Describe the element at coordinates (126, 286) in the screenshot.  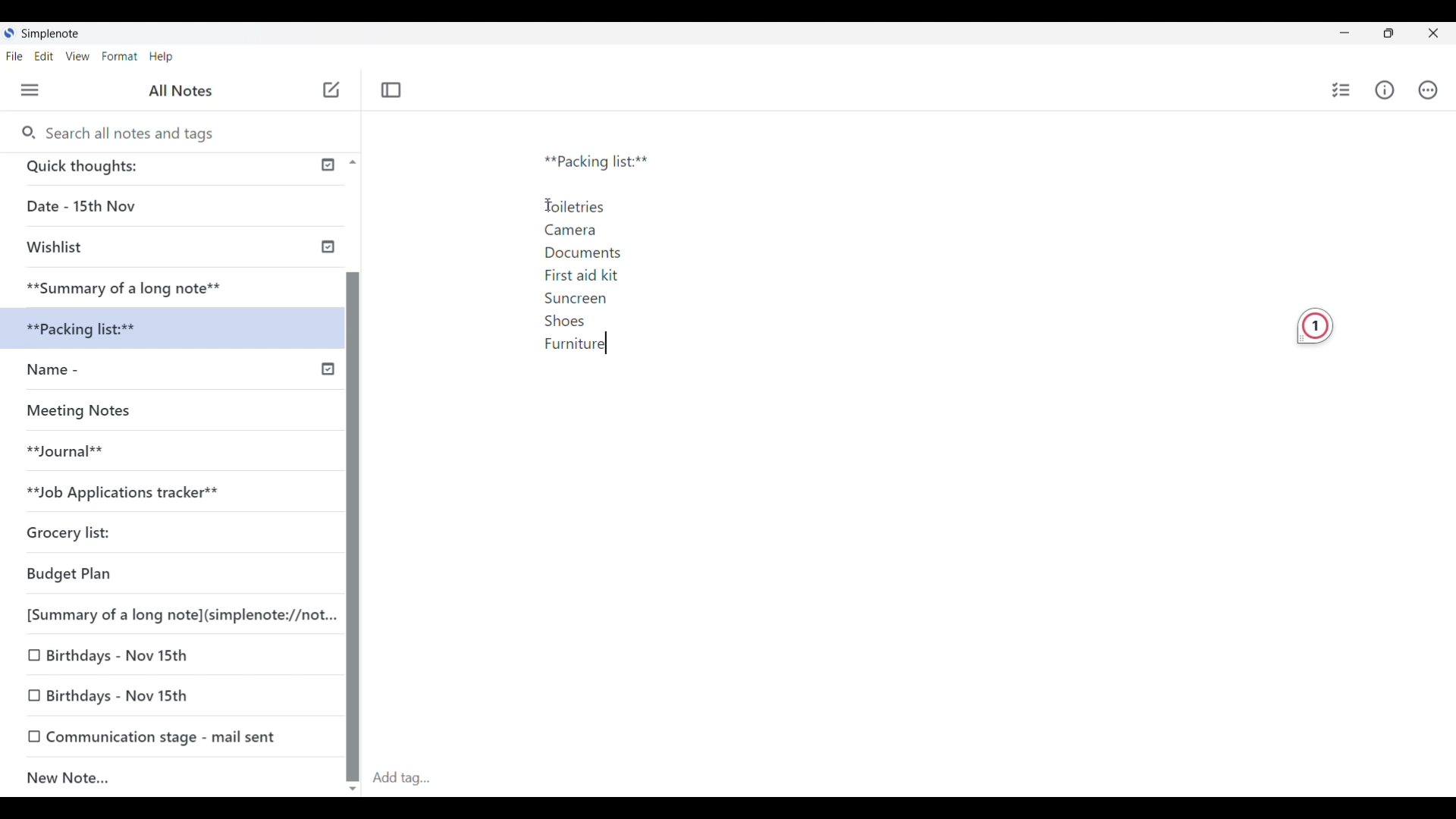
I see `Summary of a long note` at that location.